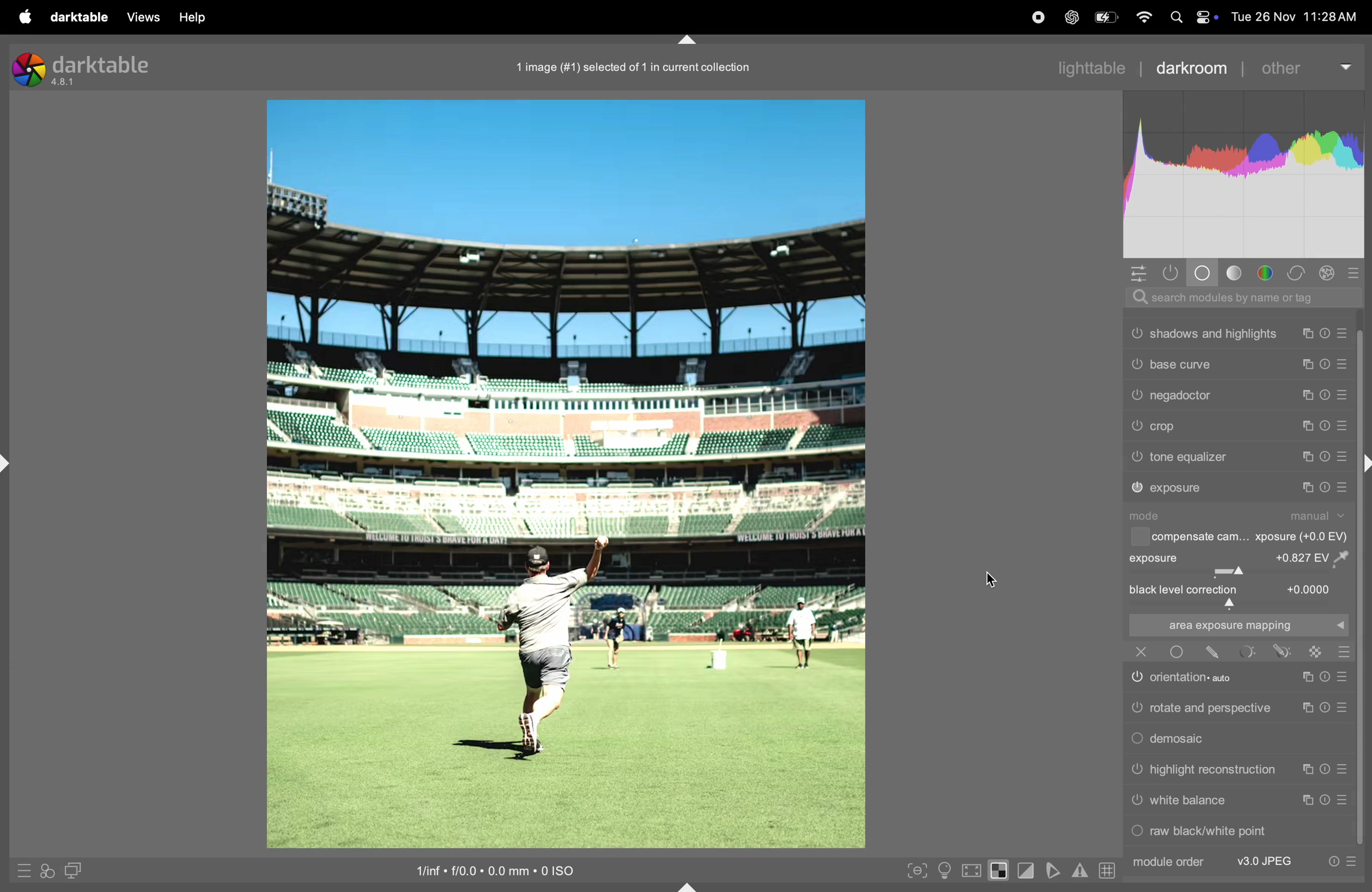 This screenshot has height=892, width=1372. I want to click on reset Preset, so click(1324, 770).